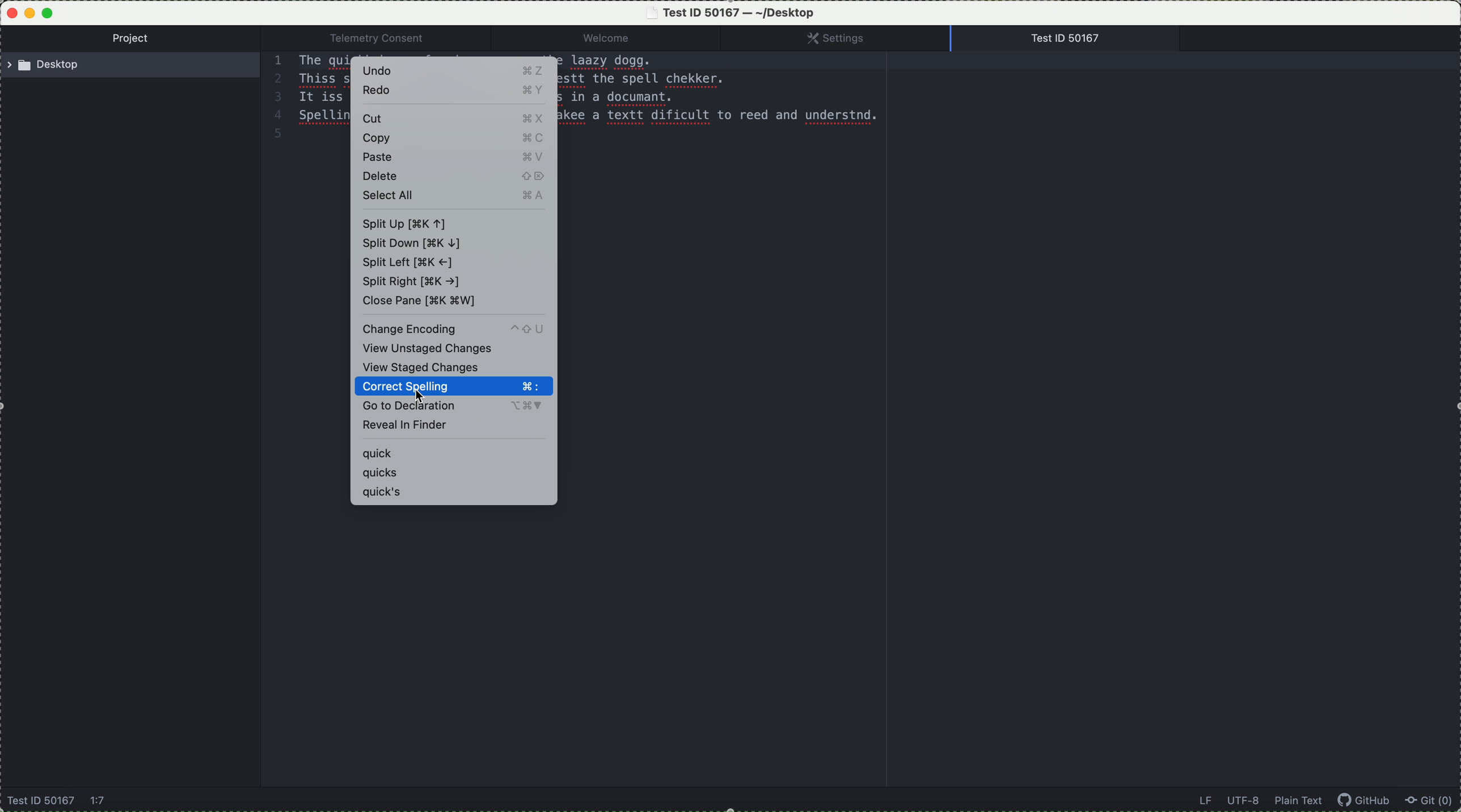 The width and height of the screenshot is (1461, 812). Describe the element at coordinates (624, 39) in the screenshot. I see `welcome` at that location.